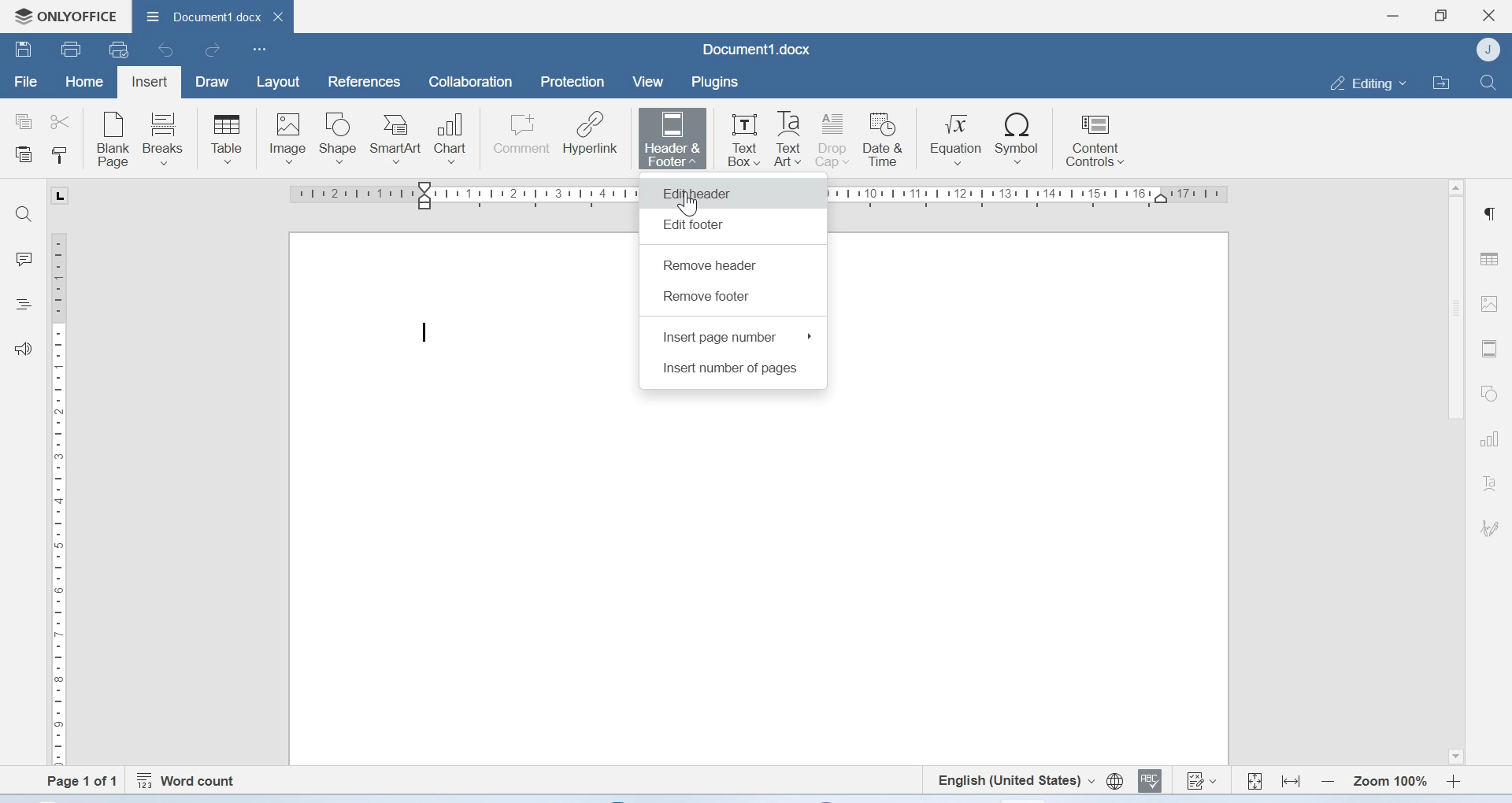 Image resolution: width=1512 pixels, height=803 pixels. Describe the element at coordinates (456, 135) in the screenshot. I see `Chart` at that location.